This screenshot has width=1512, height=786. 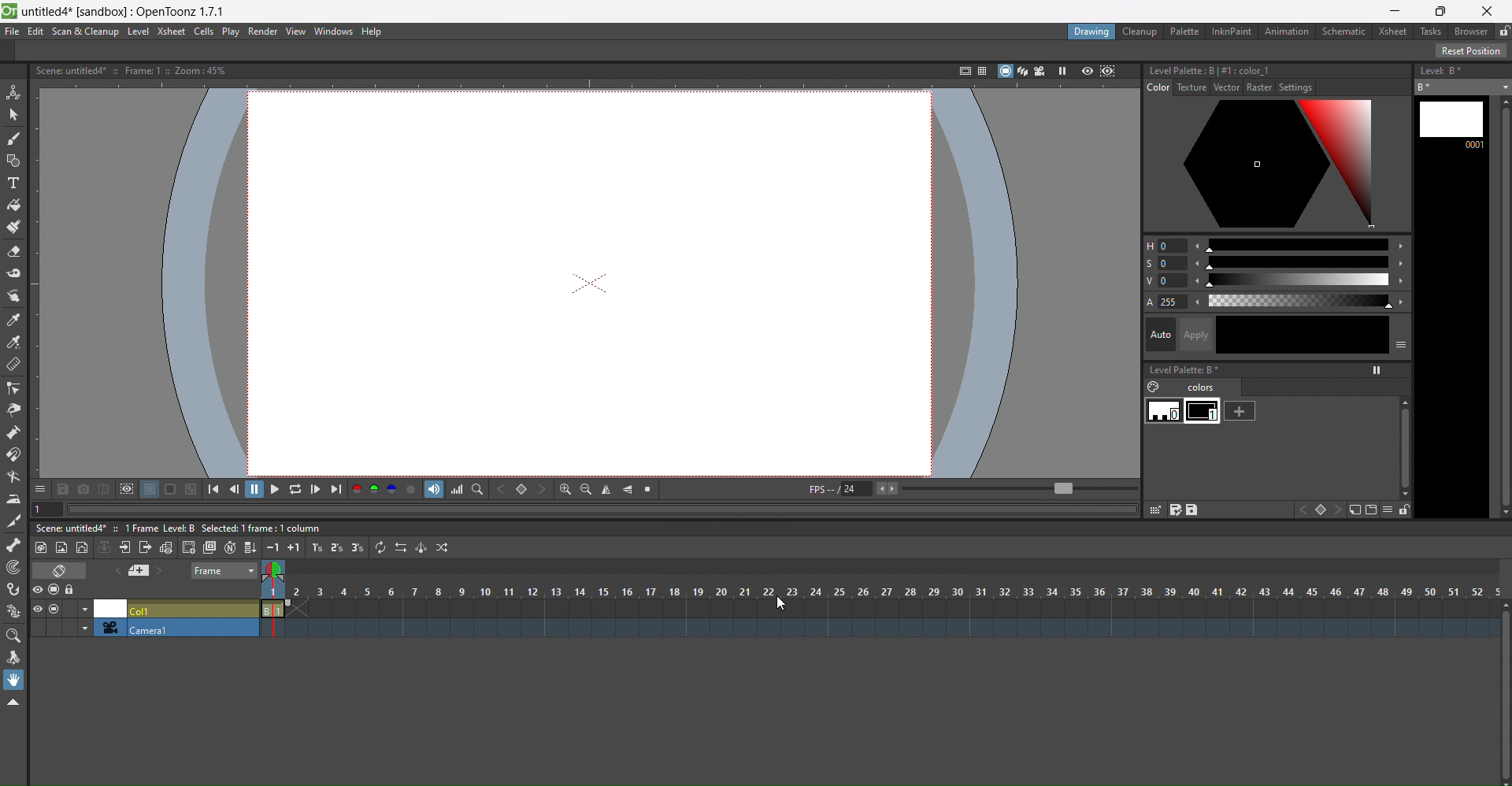 What do you see at coordinates (124, 547) in the screenshot?
I see `open sub xsheet` at bounding box center [124, 547].